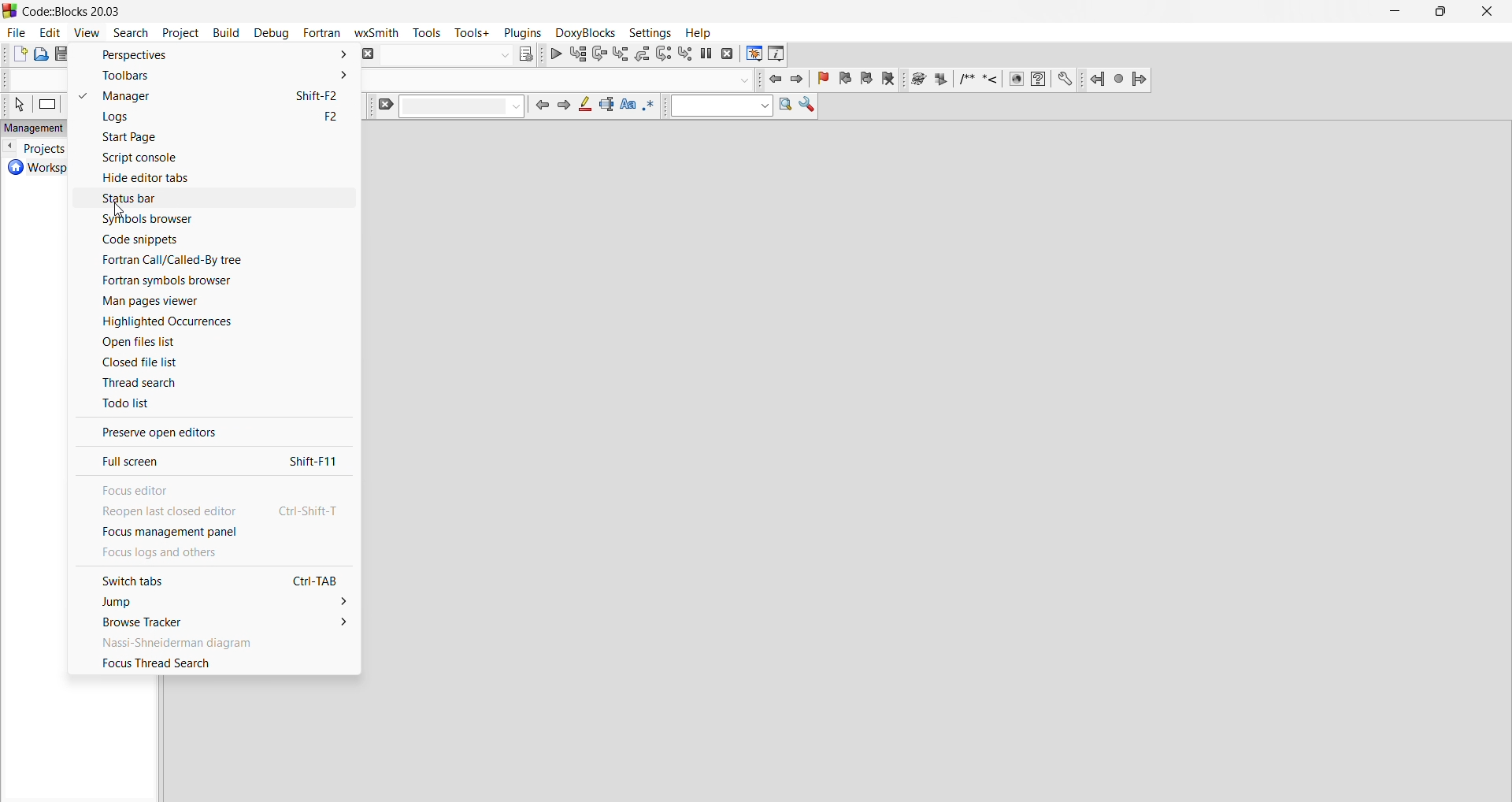 The width and height of the screenshot is (1512, 802). Describe the element at coordinates (941, 79) in the screenshot. I see `extract` at that location.